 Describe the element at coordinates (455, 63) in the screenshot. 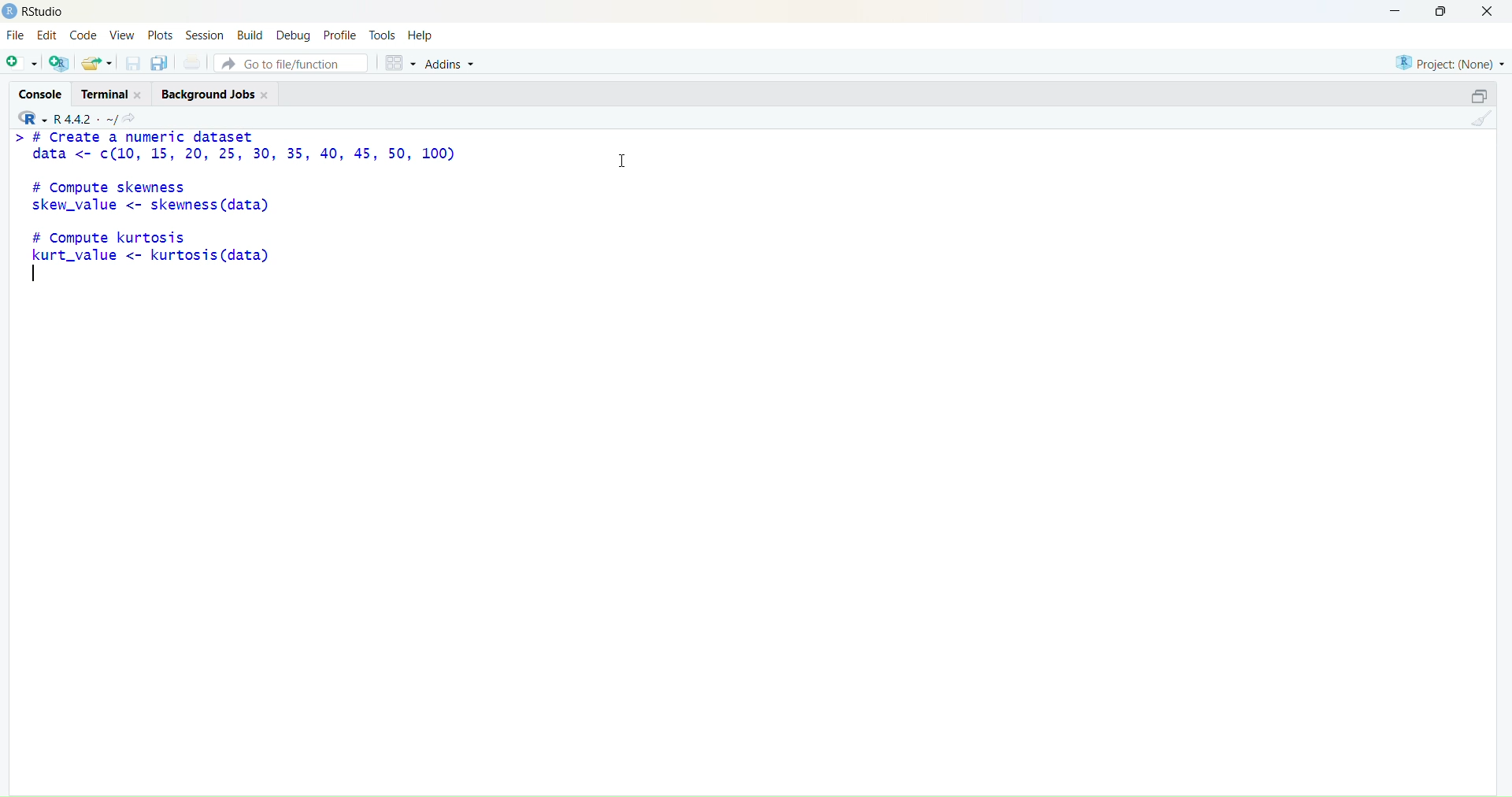

I see `Addins` at that location.